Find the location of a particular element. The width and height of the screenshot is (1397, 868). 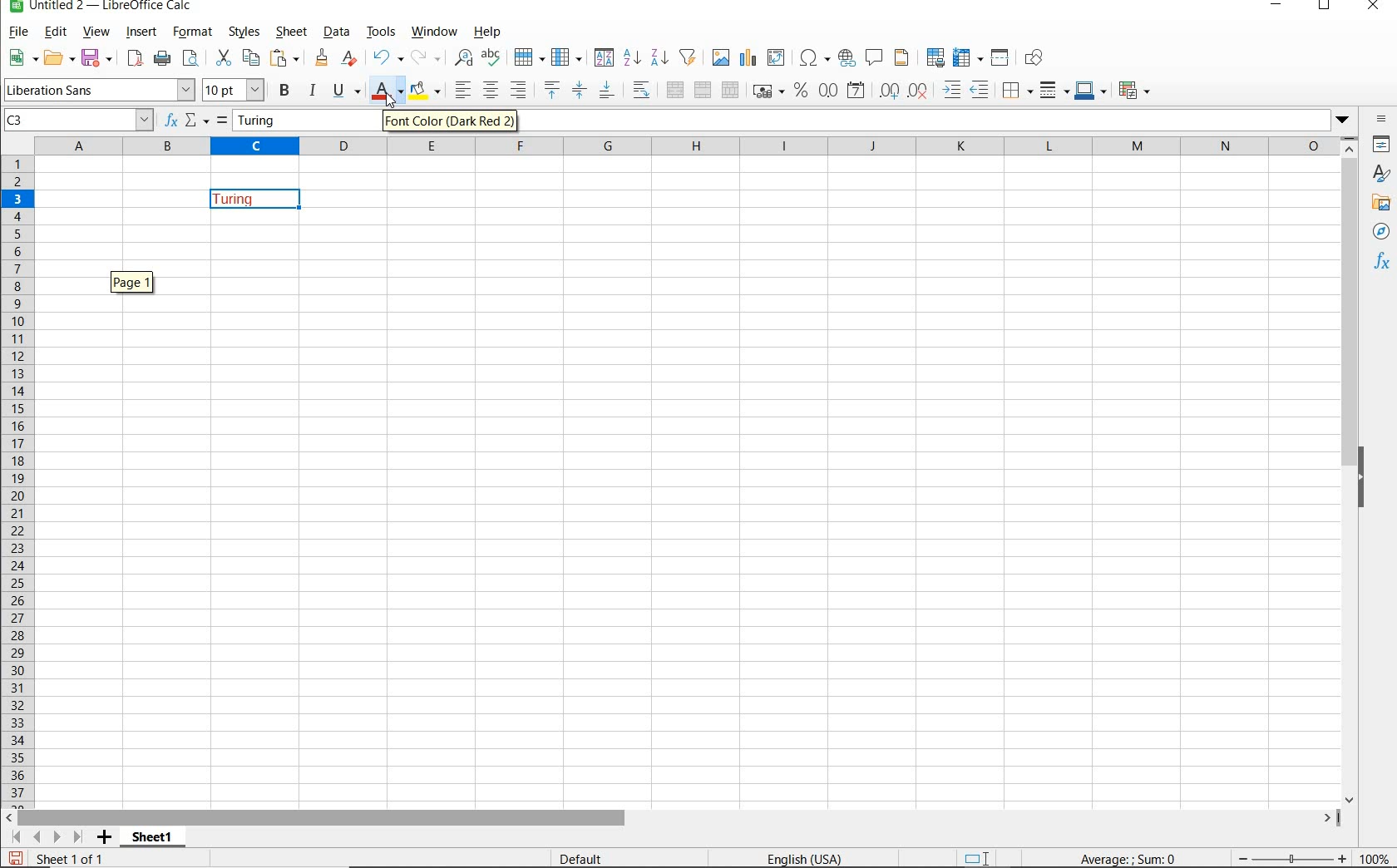

BACKGROUND COLOR is located at coordinates (428, 91).